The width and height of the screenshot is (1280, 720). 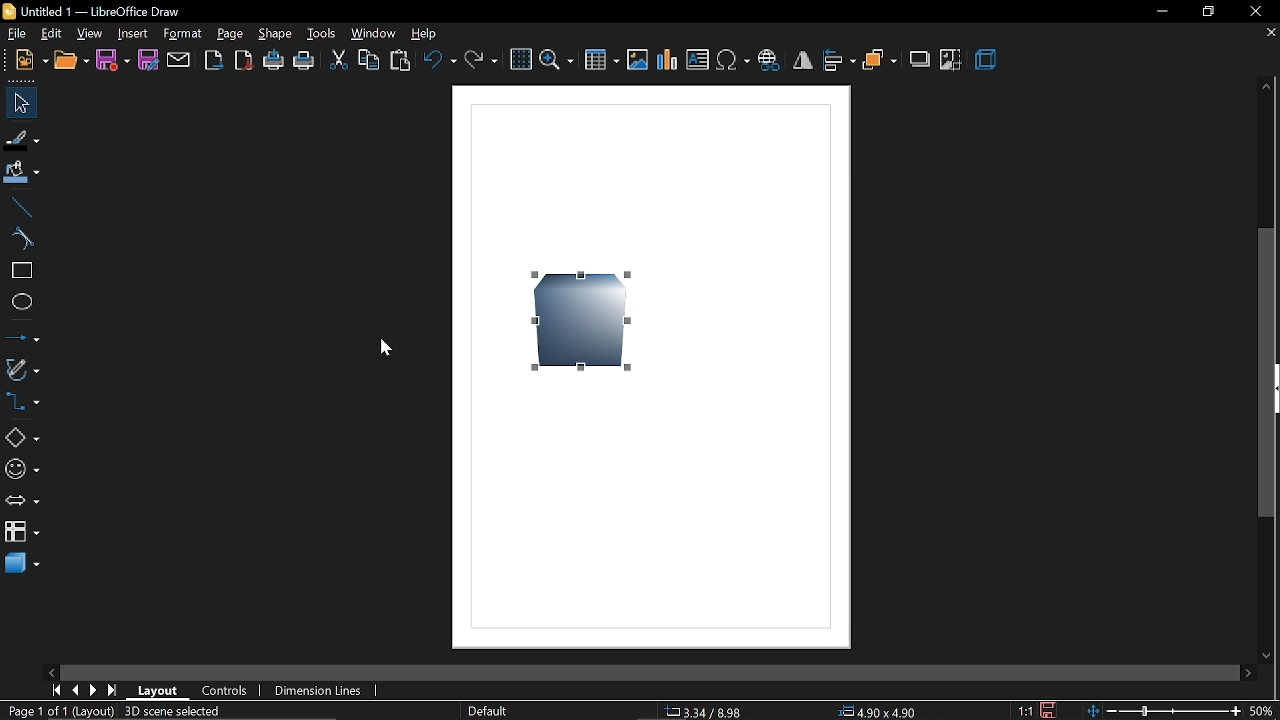 I want to click on flowchart, so click(x=23, y=532).